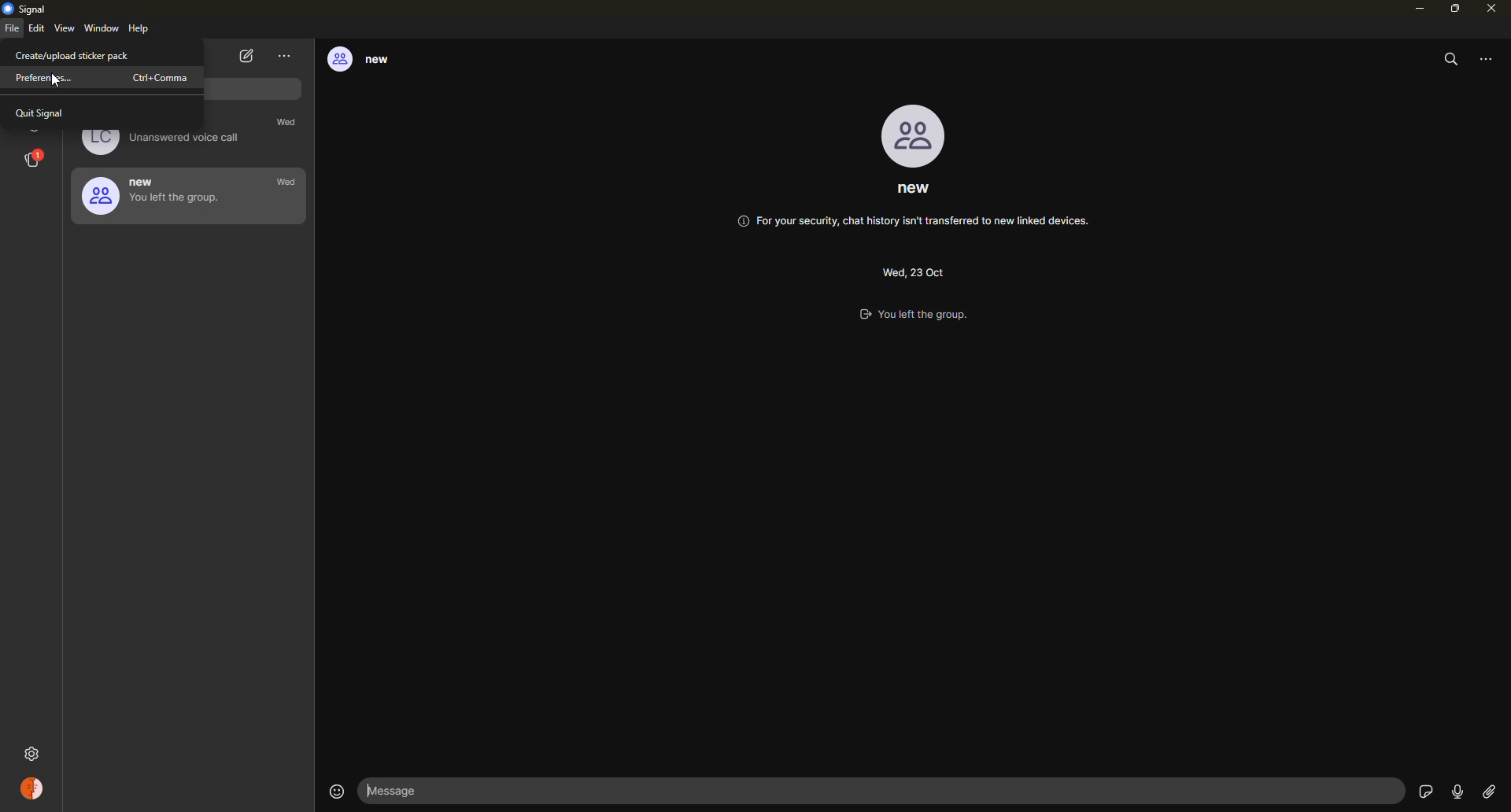 The image size is (1511, 812). I want to click on more, so click(285, 56).